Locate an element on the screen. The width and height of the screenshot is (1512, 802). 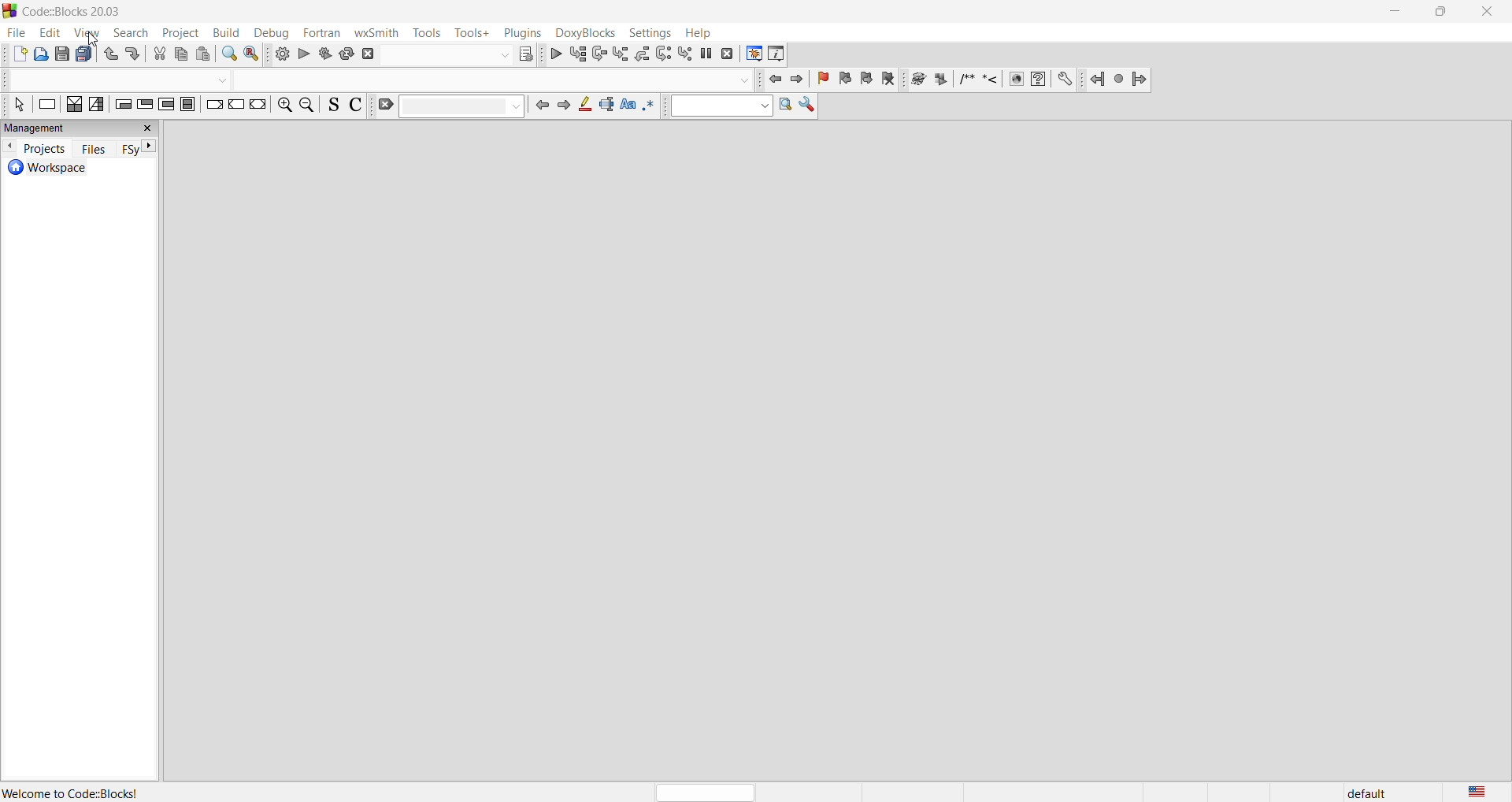
build and run is located at coordinates (324, 55).